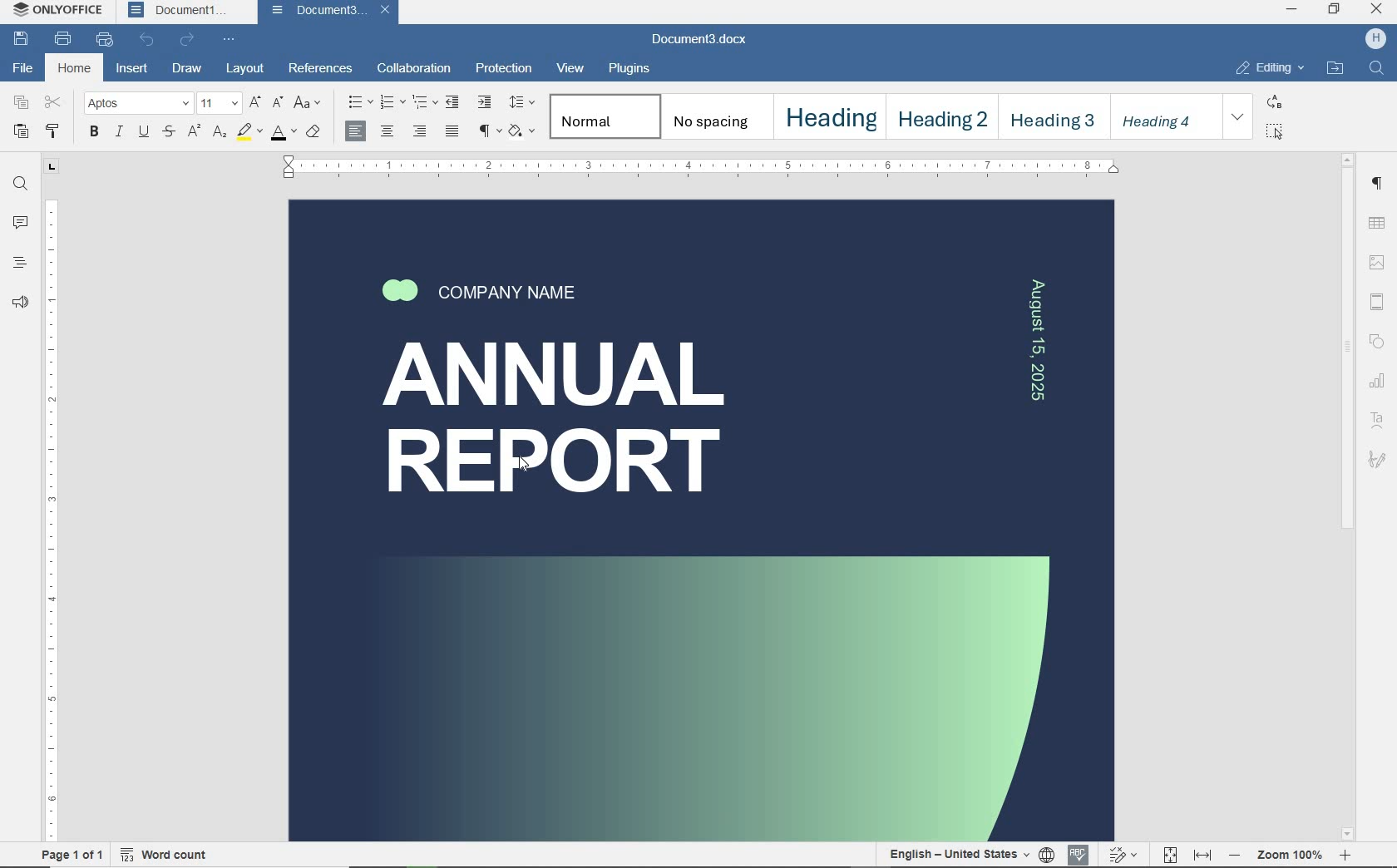 The height and width of the screenshot is (868, 1397). I want to click on expand, so click(1238, 116).